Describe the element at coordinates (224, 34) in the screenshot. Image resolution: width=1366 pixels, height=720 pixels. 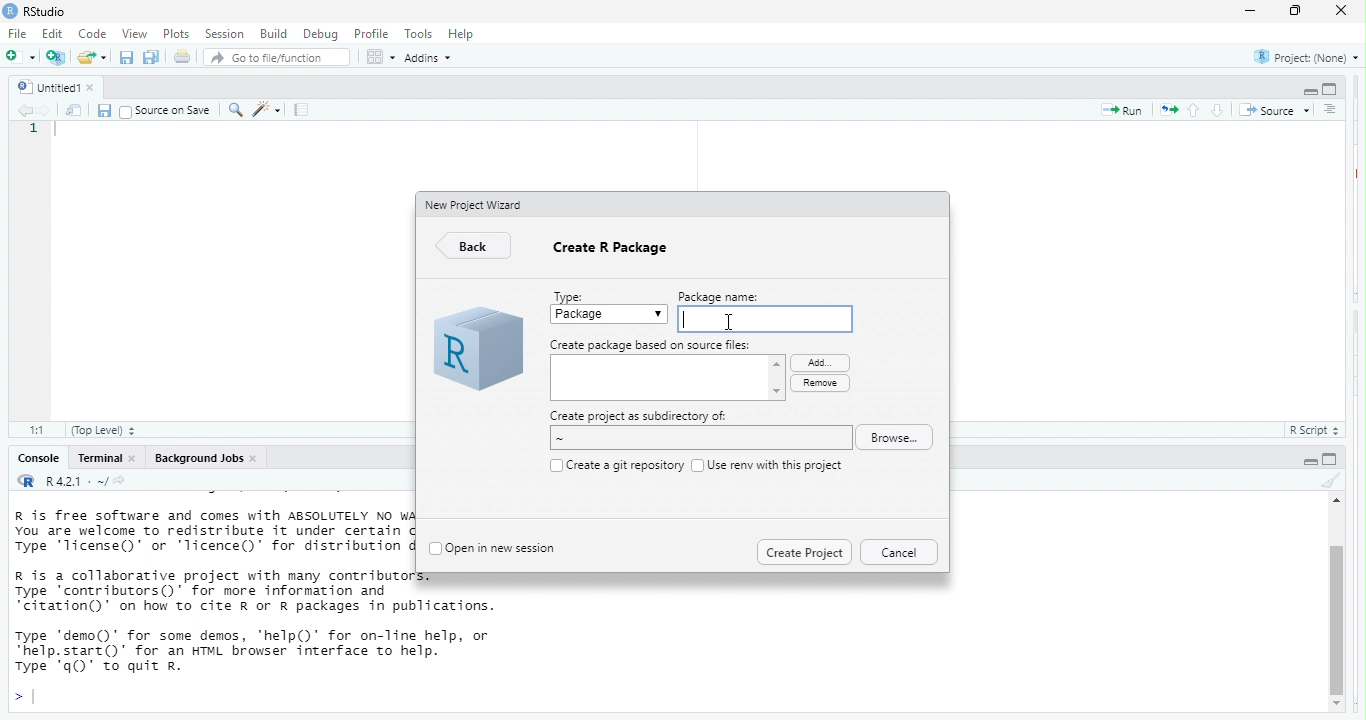
I see `Session` at that location.